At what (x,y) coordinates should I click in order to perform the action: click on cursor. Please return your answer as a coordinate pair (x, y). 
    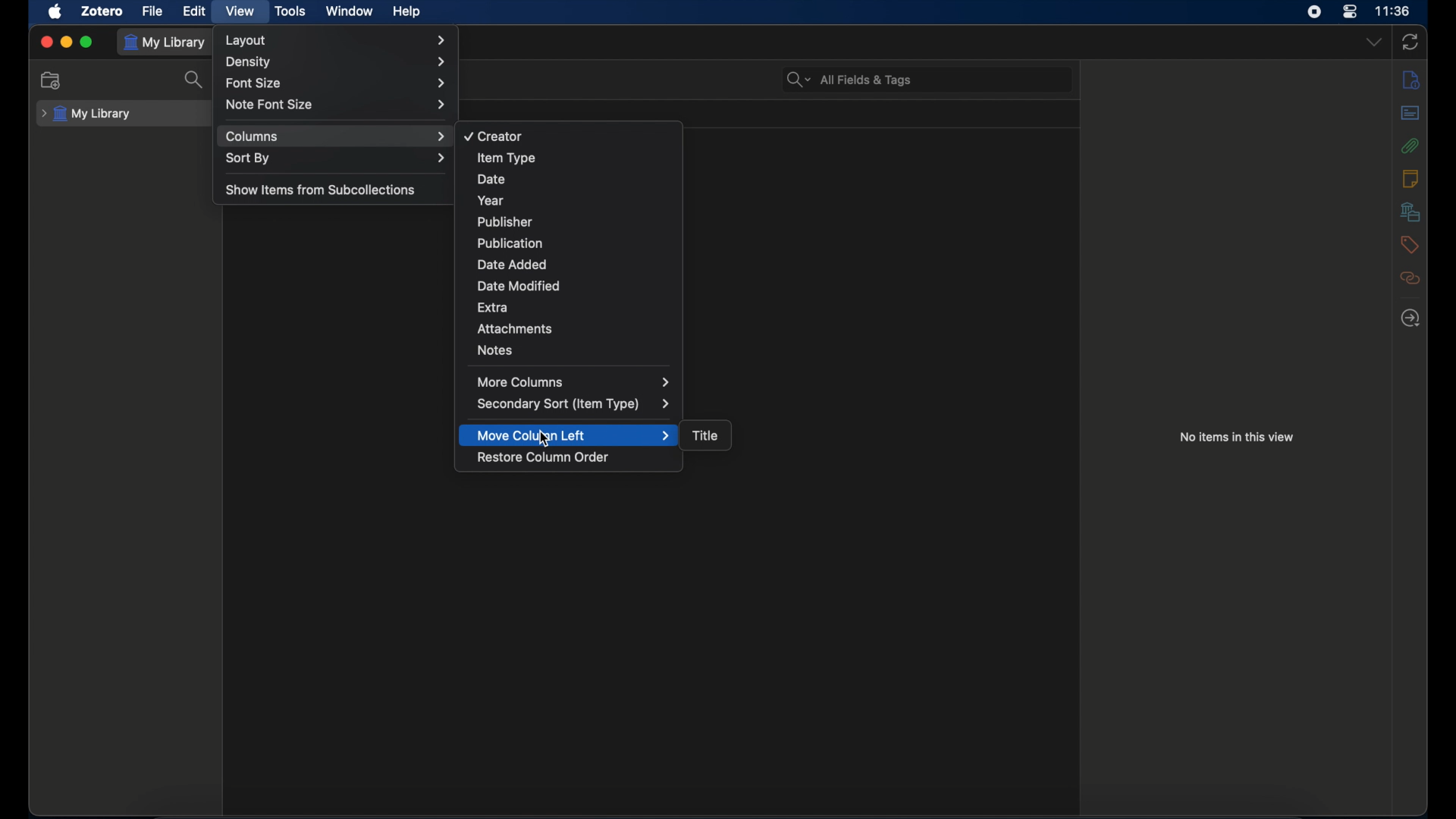
    Looking at the image, I should click on (542, 440).